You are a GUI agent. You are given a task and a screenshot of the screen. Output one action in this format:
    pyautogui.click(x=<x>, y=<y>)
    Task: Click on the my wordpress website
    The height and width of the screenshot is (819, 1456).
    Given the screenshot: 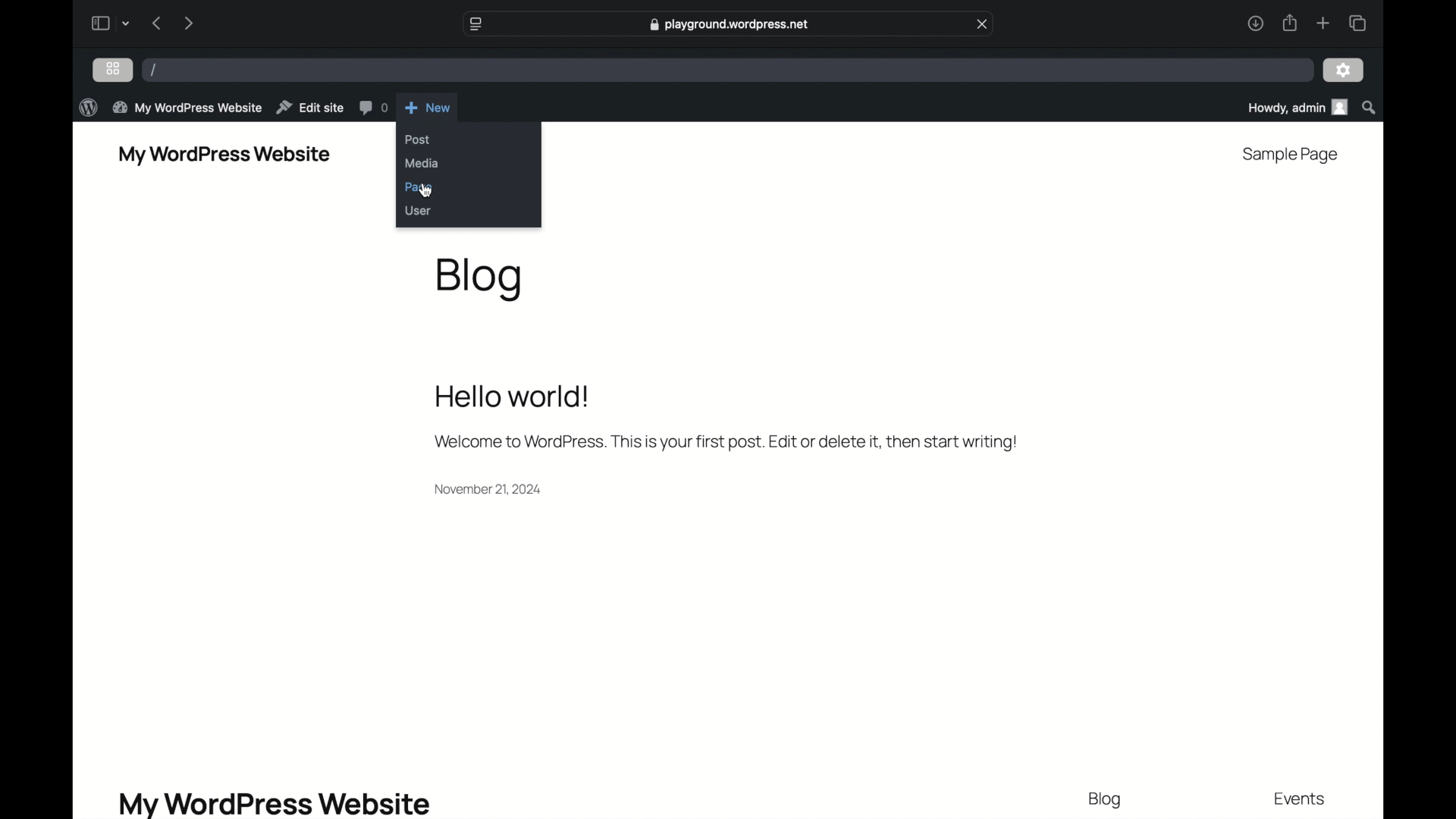 What is the action you would take?
    pyautogui.click(x=273, y=803)
    